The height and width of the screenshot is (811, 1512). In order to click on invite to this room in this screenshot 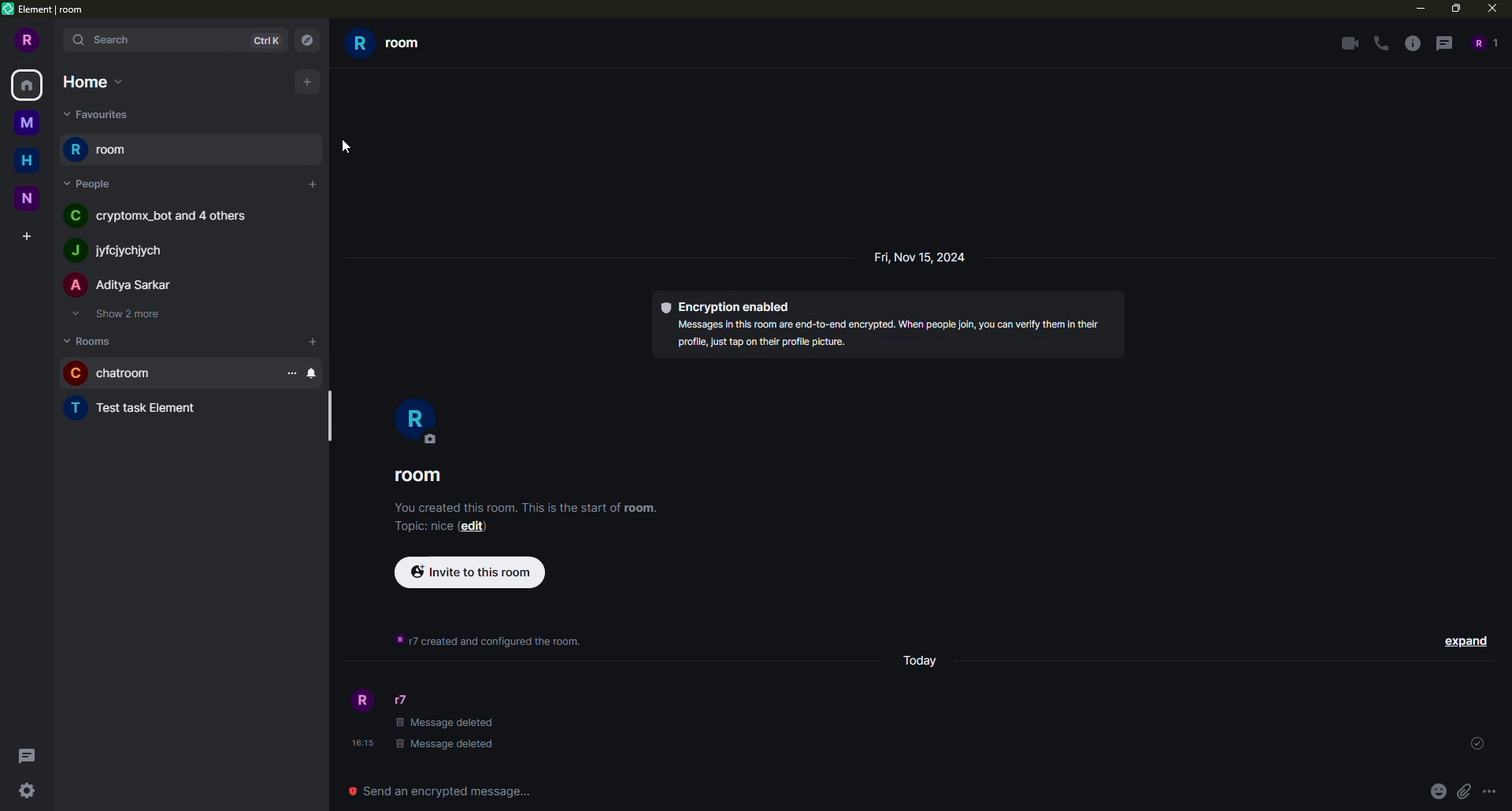, I will do `click(470, 573)`.